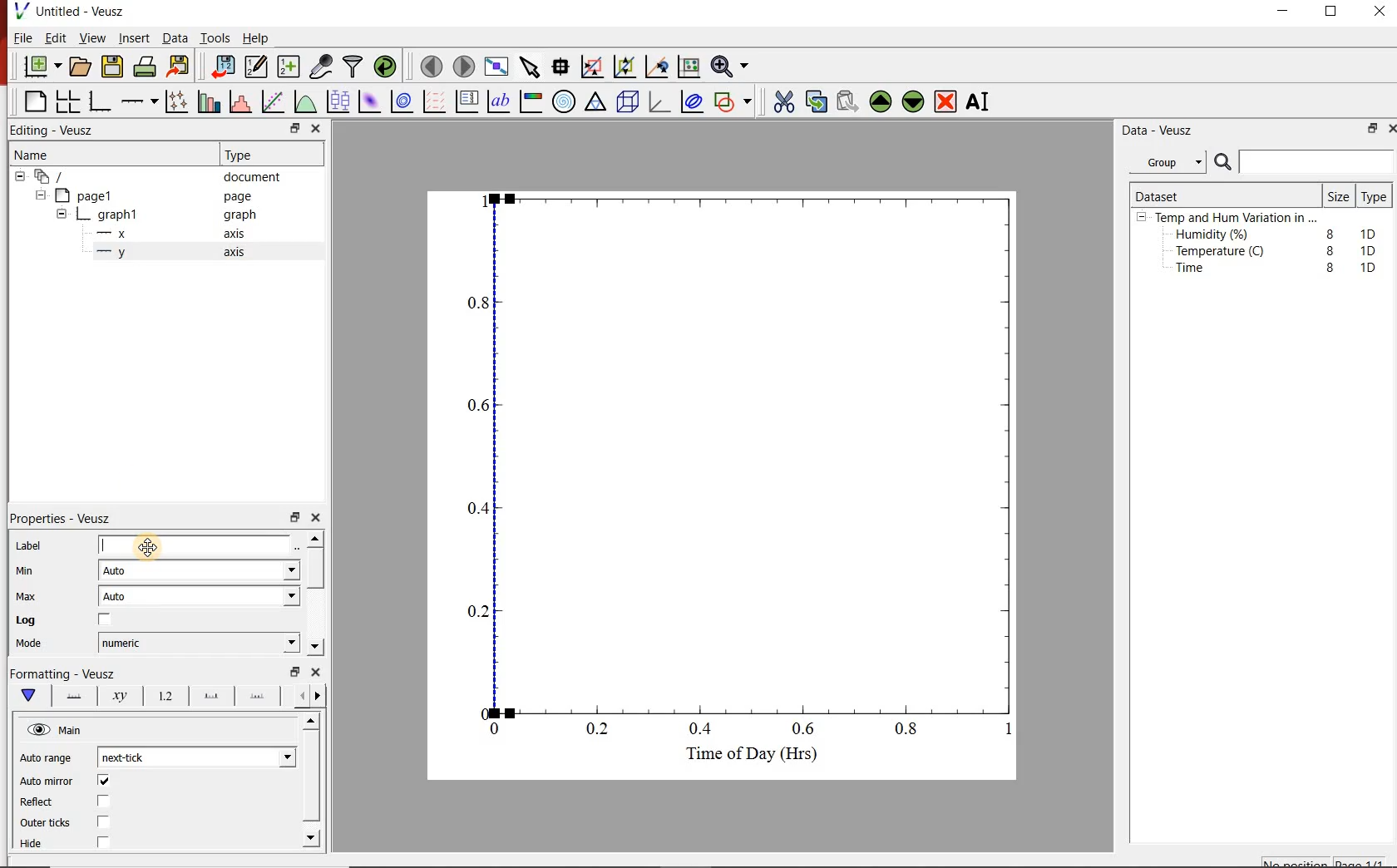 This screenshot has height=868, width=1397. Describe the element at coordinates (249, 155) in the screenshot. I see `Type` at that location.